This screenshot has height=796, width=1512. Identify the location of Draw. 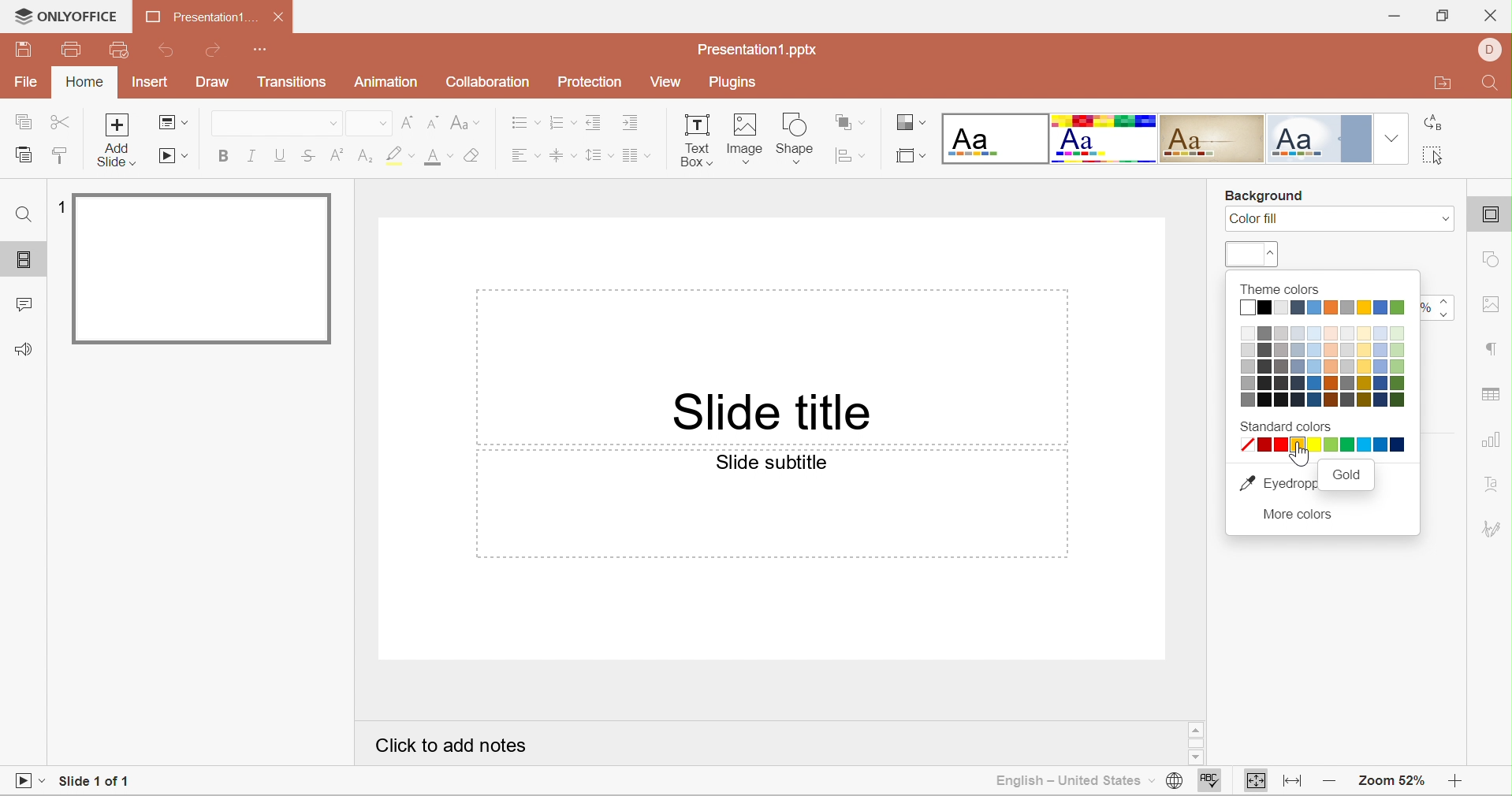
(215, 83).